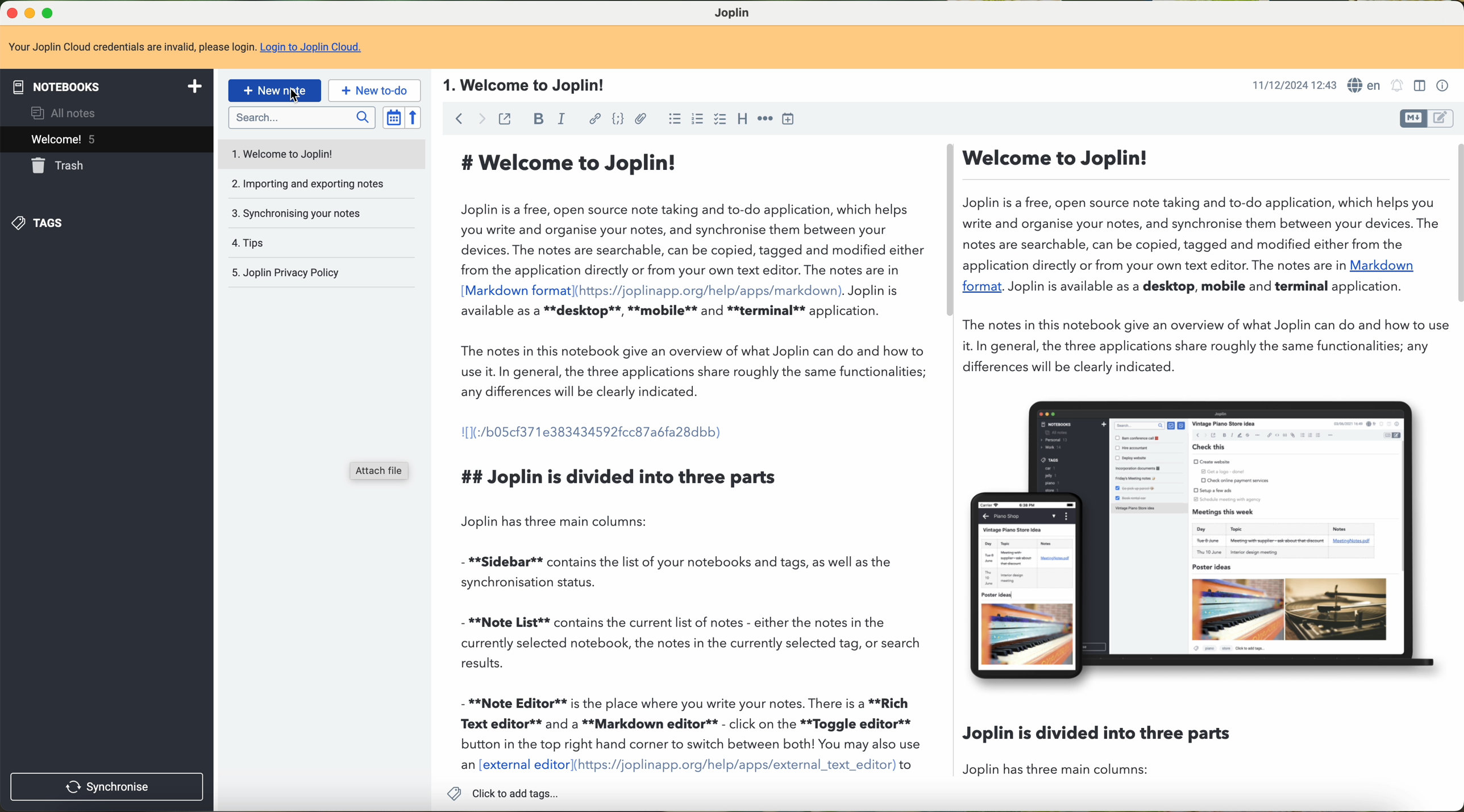  I want to click on note properties, so click(1443, 88).